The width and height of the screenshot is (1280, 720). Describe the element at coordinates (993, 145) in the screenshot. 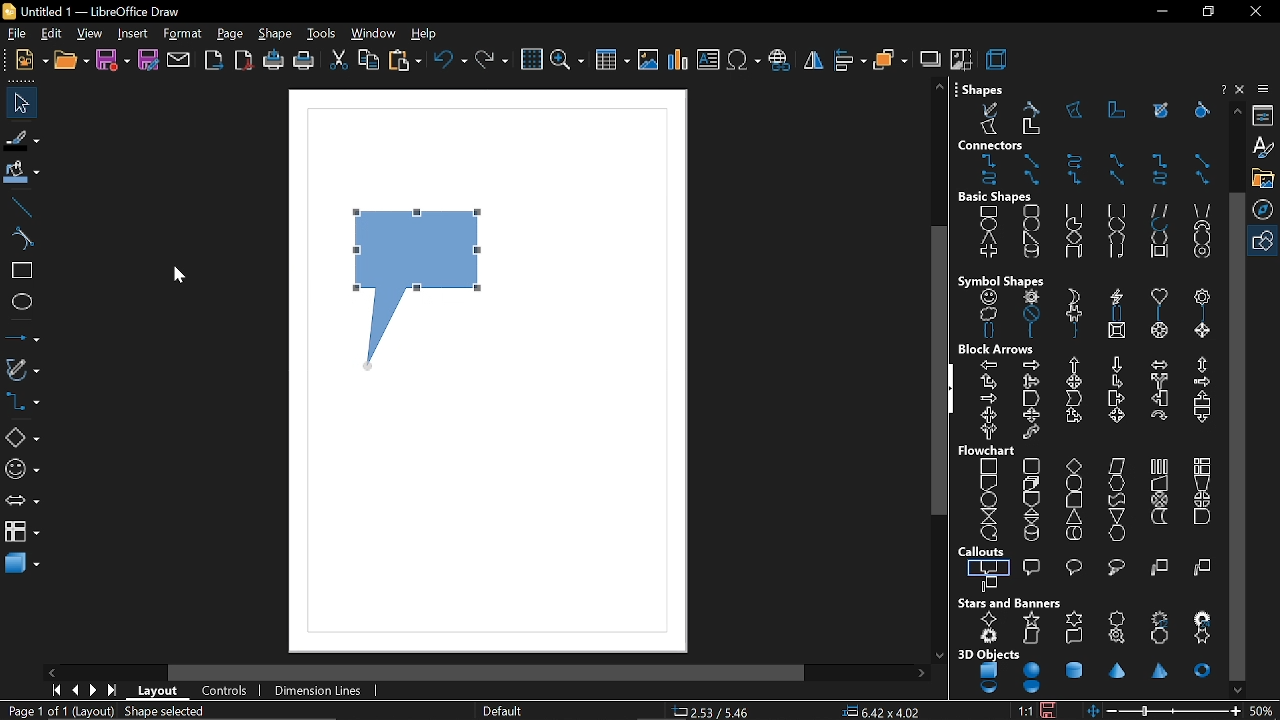

I see `connectors` at that location.